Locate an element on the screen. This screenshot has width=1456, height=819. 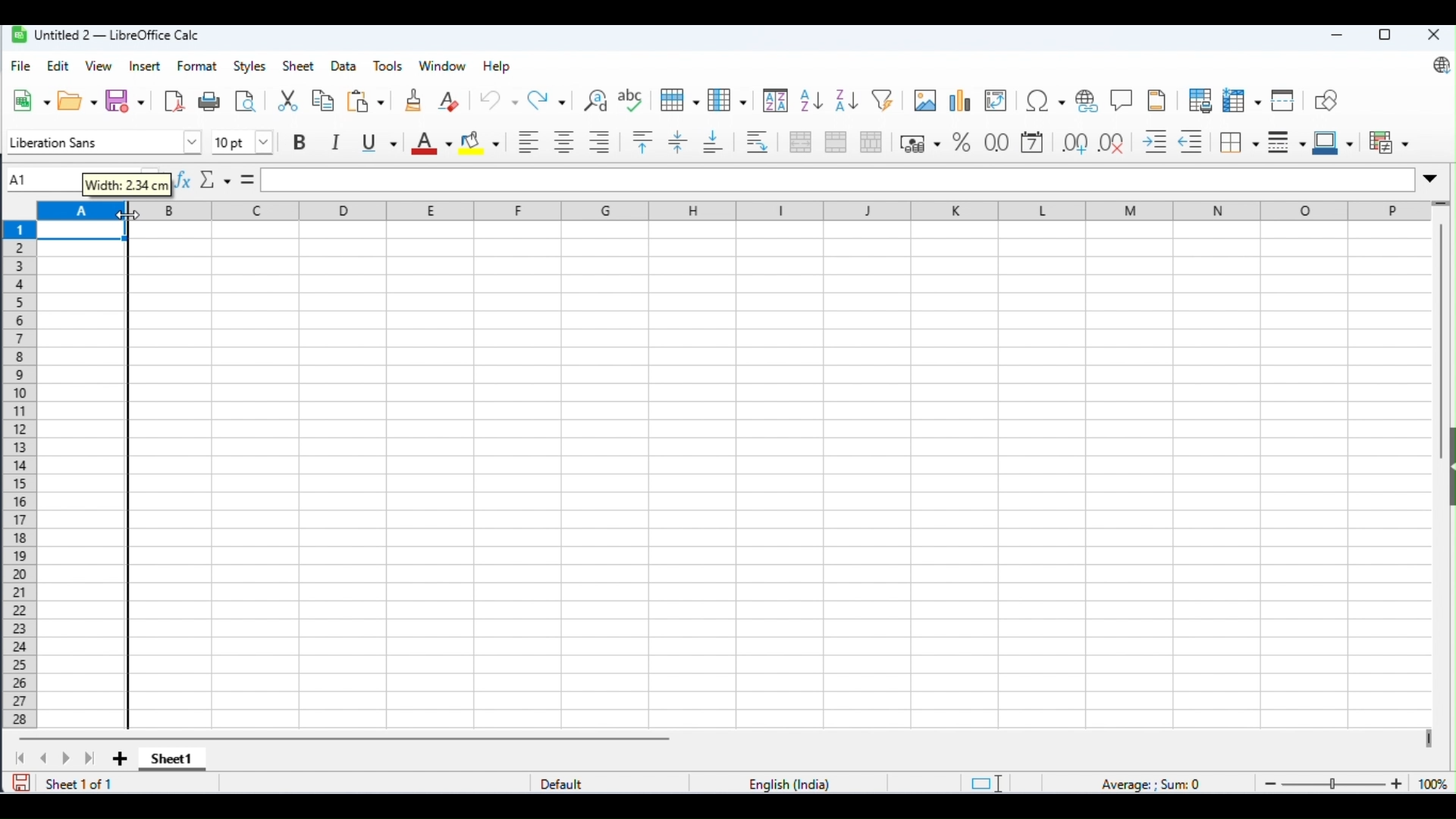
drag to view next columns is located at coordinates (1428, 736).